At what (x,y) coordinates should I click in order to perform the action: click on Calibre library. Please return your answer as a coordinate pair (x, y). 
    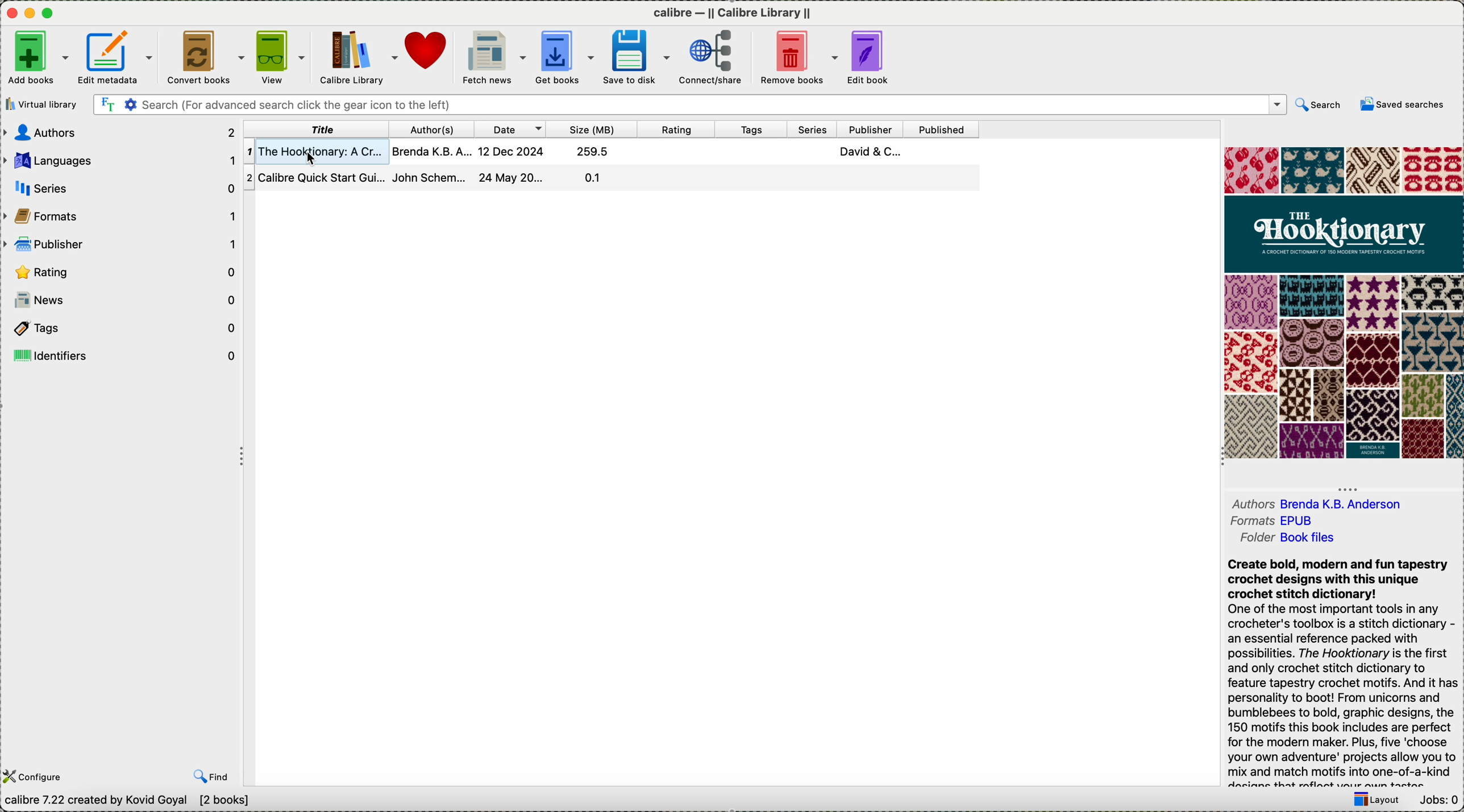
    Looking at the image, I should click on (357, 56).